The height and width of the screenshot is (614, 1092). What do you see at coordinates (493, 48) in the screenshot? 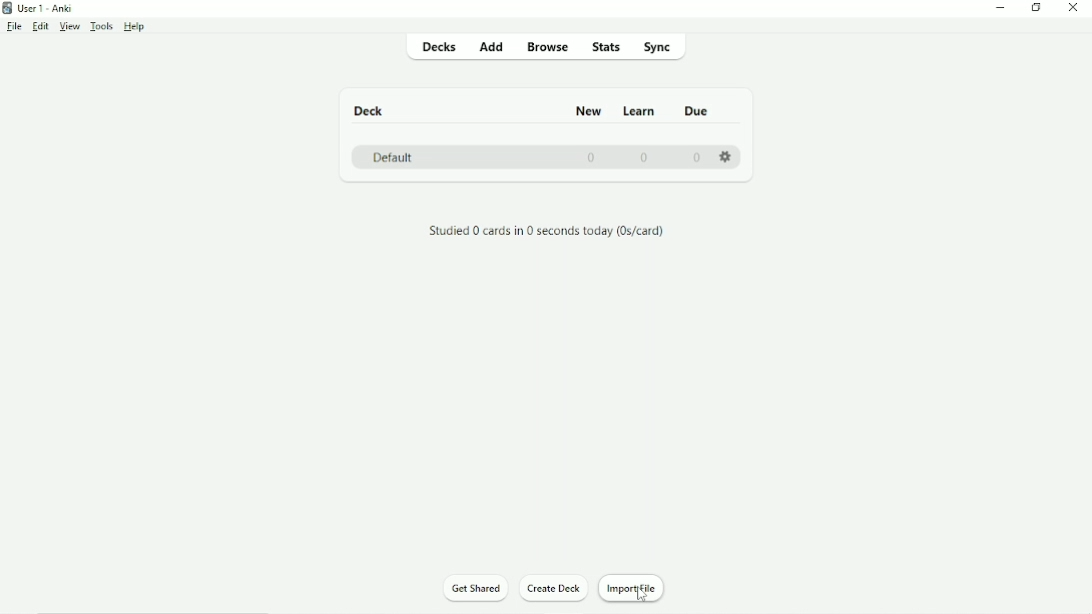
I see `Add` at bounding box center [493, 48].